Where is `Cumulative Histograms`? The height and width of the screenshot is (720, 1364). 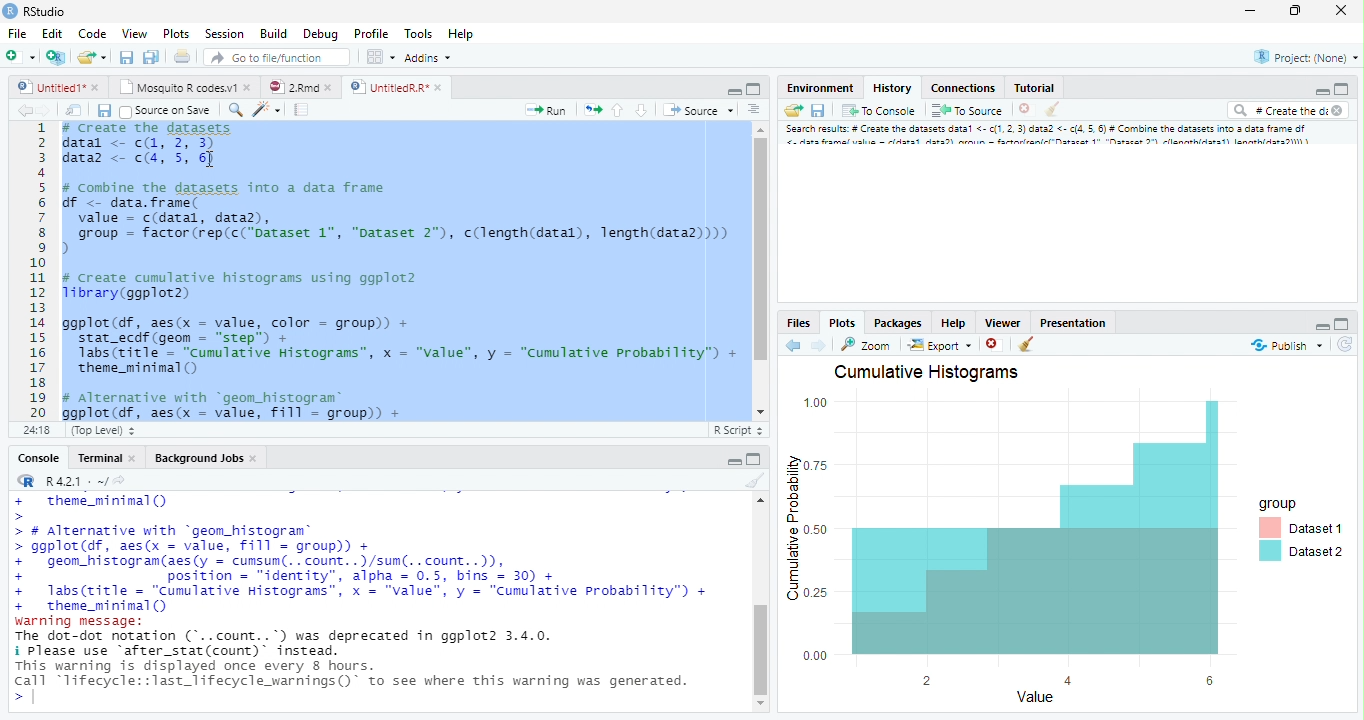 Cumulative Histograms is located at coordinates (933, 373).